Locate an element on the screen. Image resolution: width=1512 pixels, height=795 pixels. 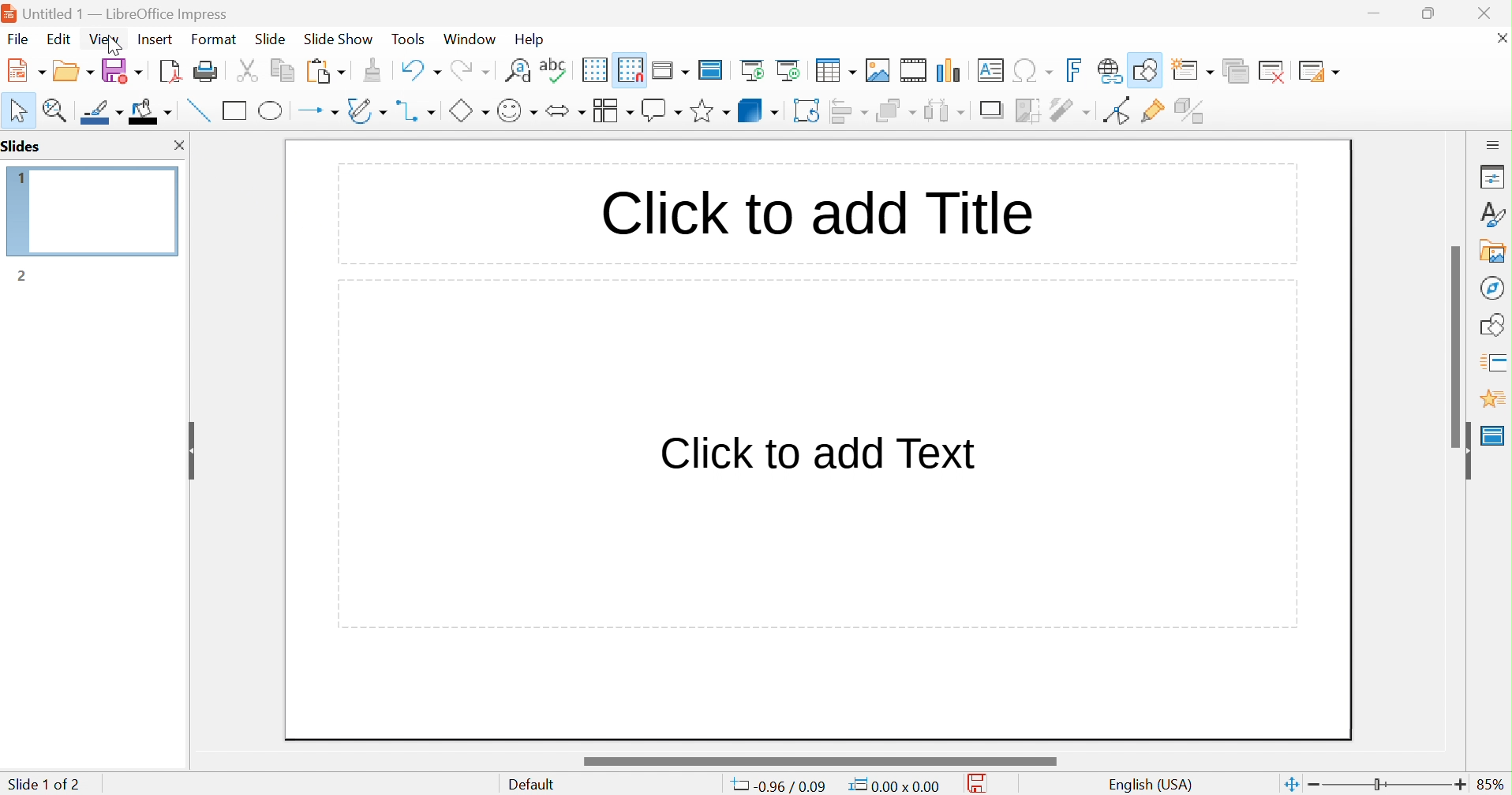
start from current slide is located at coordinates (792, 69).